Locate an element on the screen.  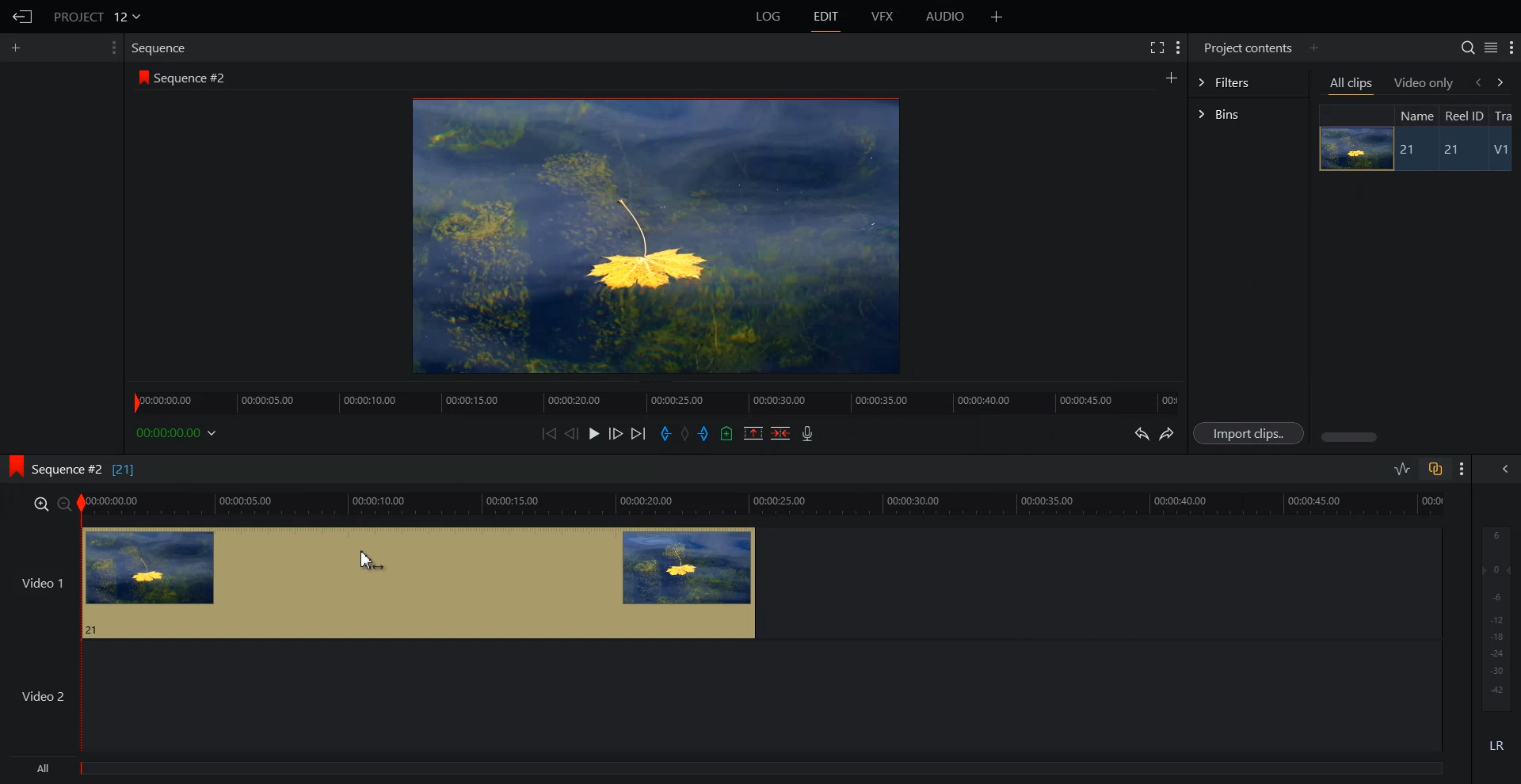
Add panel is located at coordinates (20, 48).